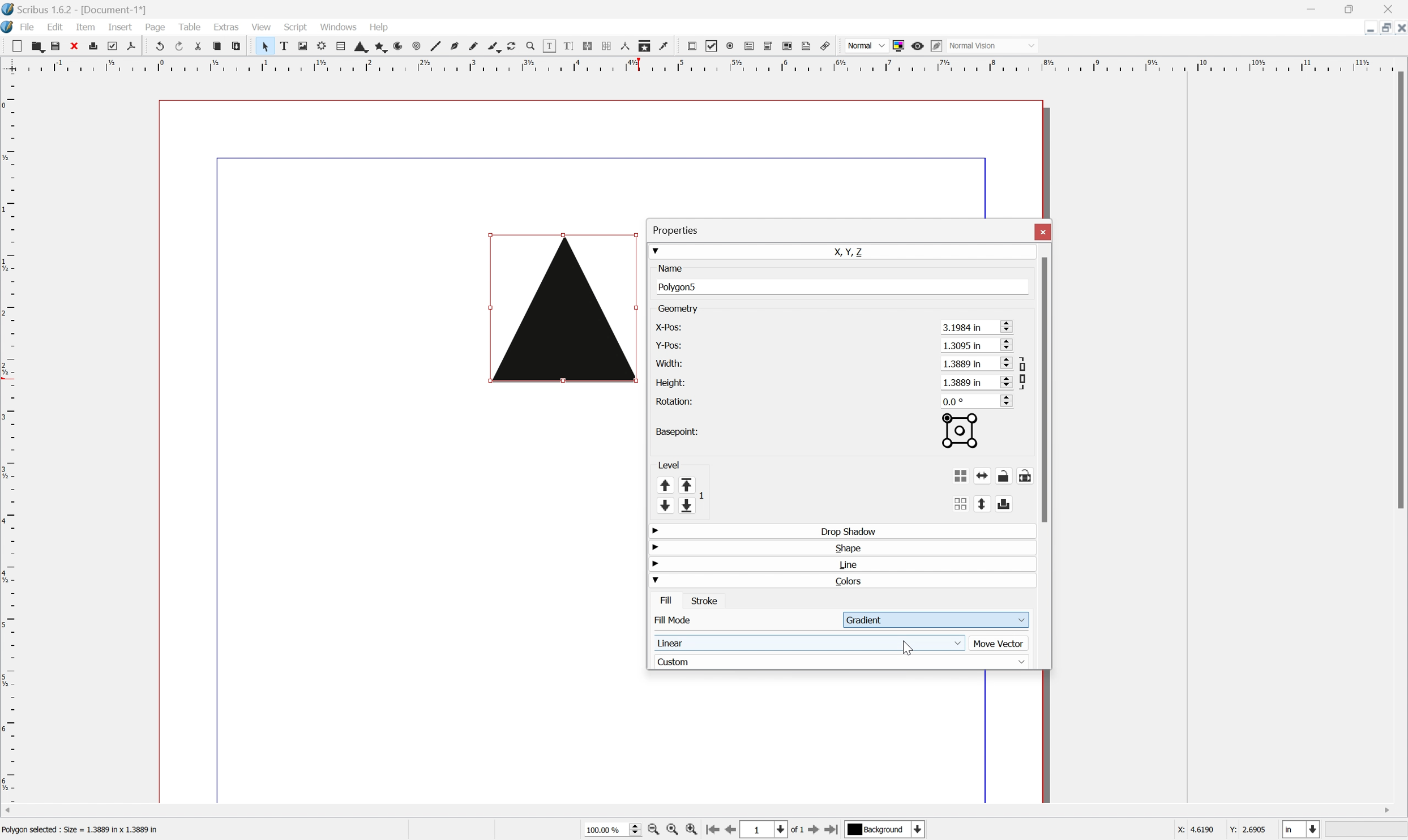 Image resolution: width=1408 pixels, height=840 pixels. I want to click on Stroke, so click(705, 601).